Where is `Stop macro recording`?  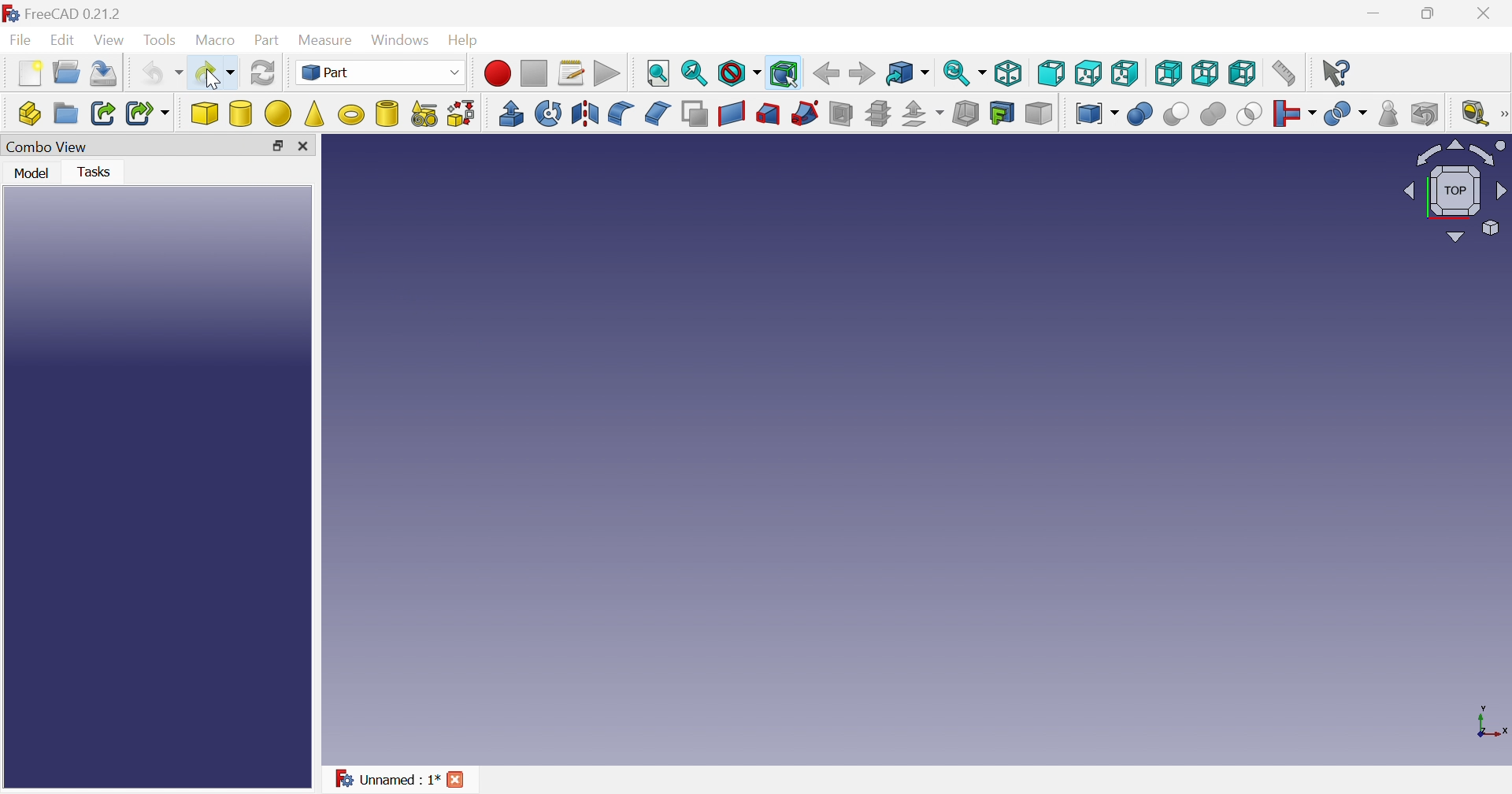 Stop macro recording is located at coordinates (534, 74).